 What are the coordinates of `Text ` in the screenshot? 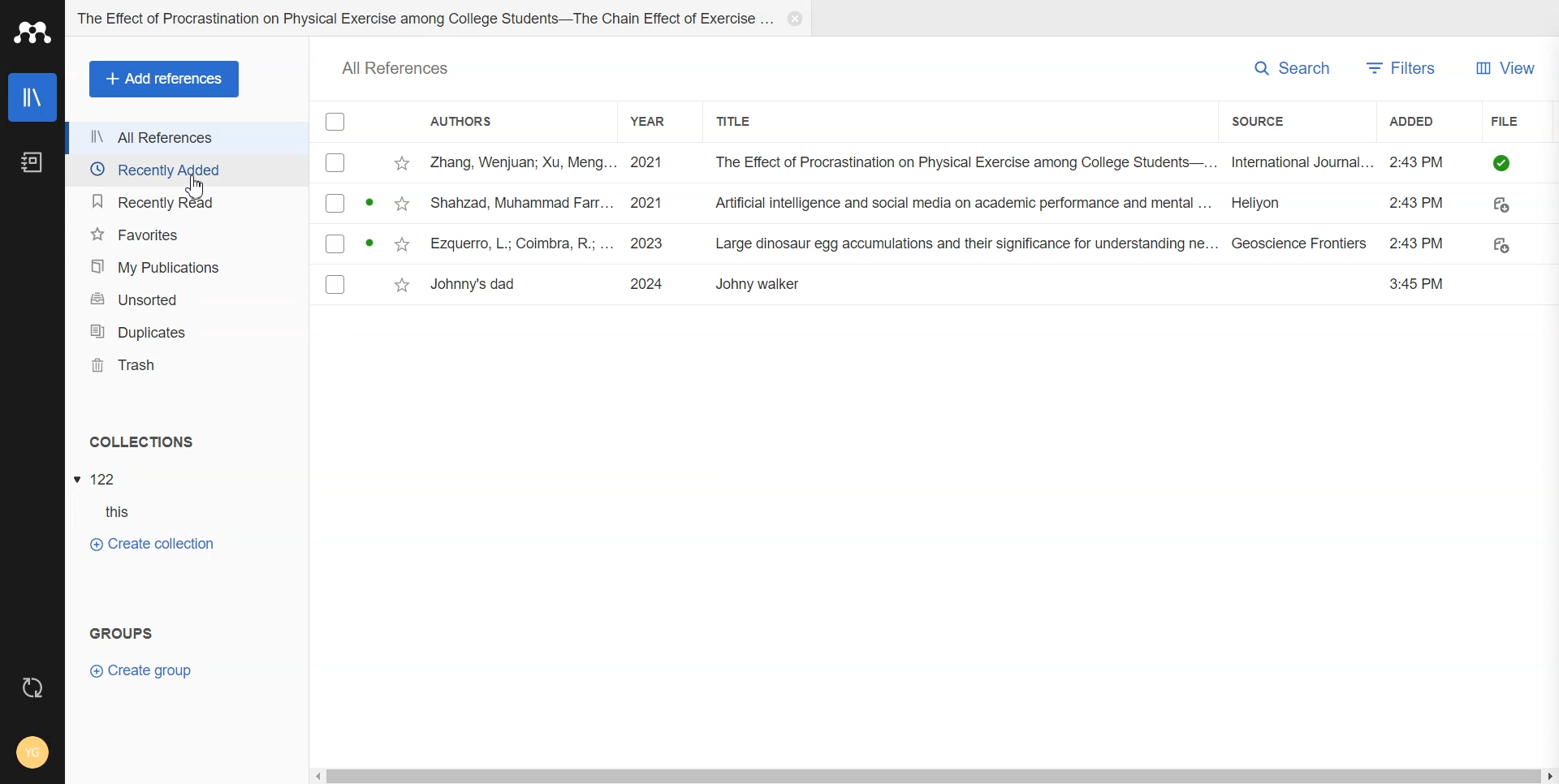 It's located at (395, 67).